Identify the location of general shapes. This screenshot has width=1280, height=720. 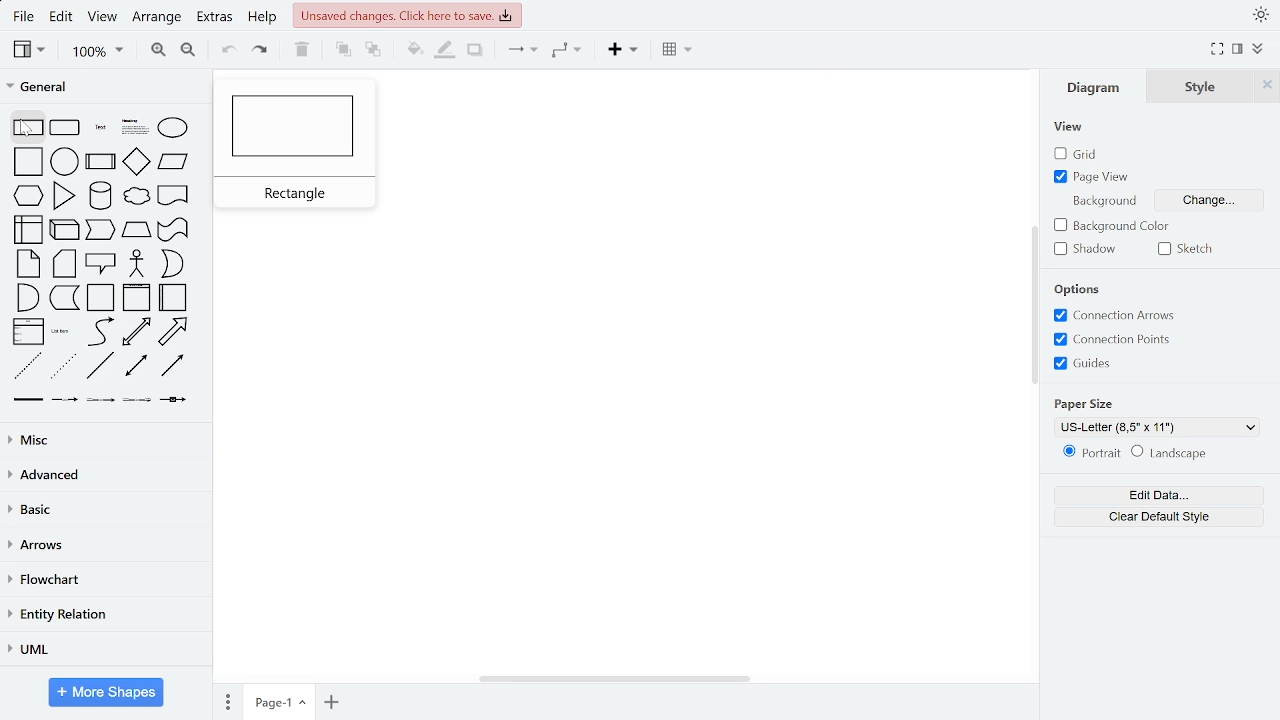
(104, 259).